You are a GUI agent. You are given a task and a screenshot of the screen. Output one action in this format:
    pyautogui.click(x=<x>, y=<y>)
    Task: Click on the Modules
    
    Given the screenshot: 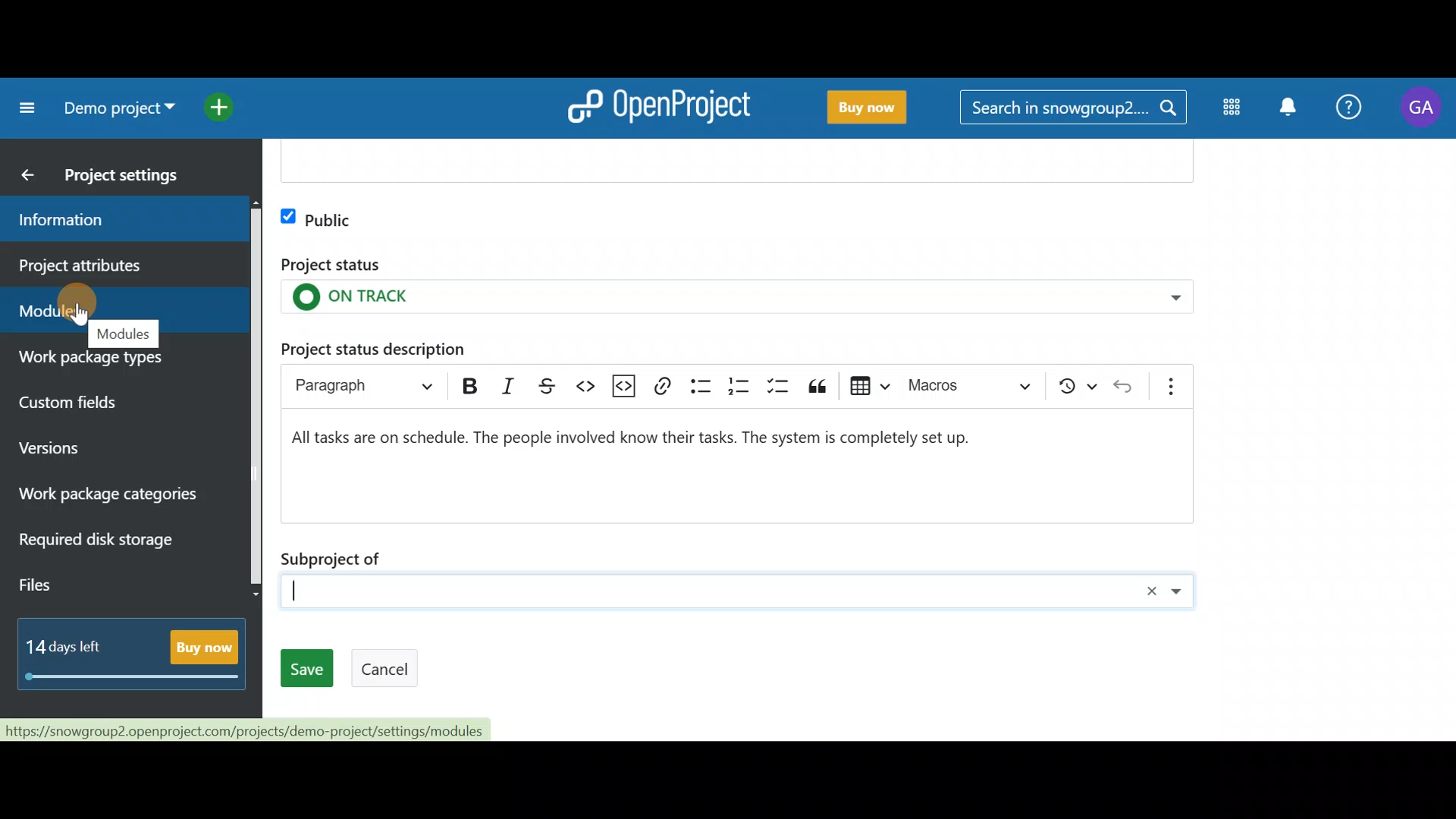 What is the action you would take?
    pyautogui.click(x=1234, y=108)
    